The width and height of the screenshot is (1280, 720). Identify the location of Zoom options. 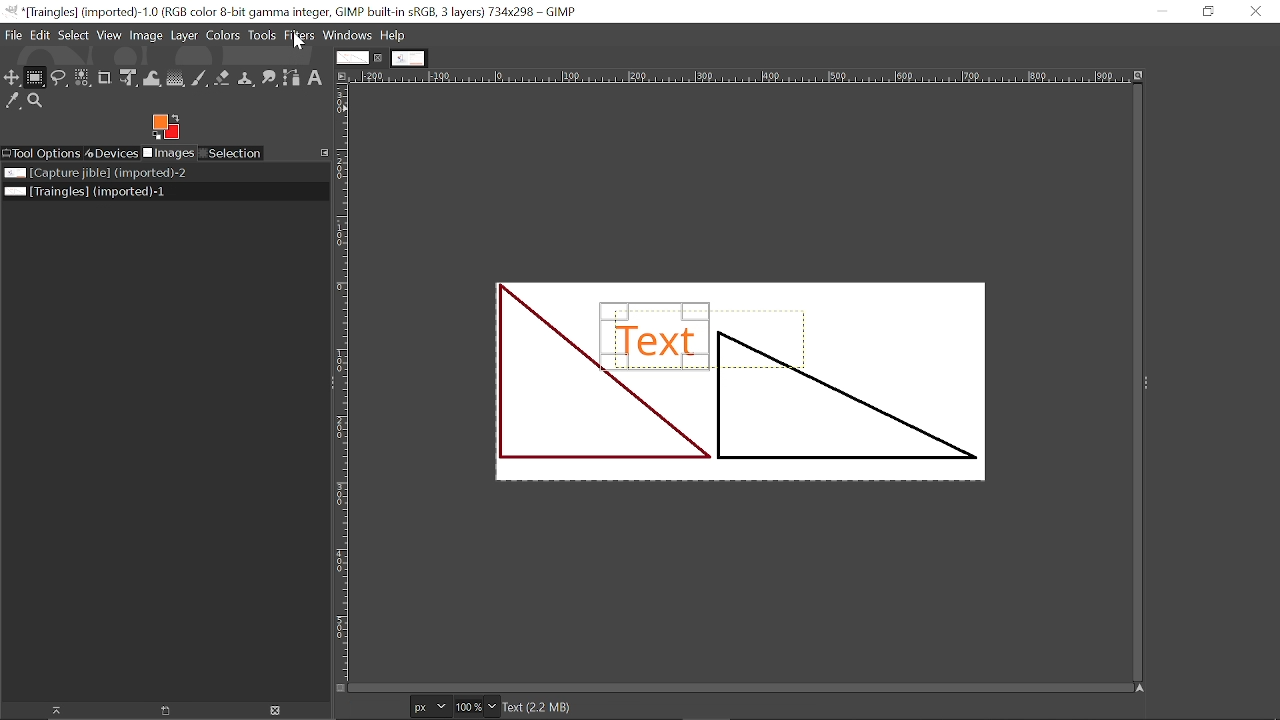
(494, 707).